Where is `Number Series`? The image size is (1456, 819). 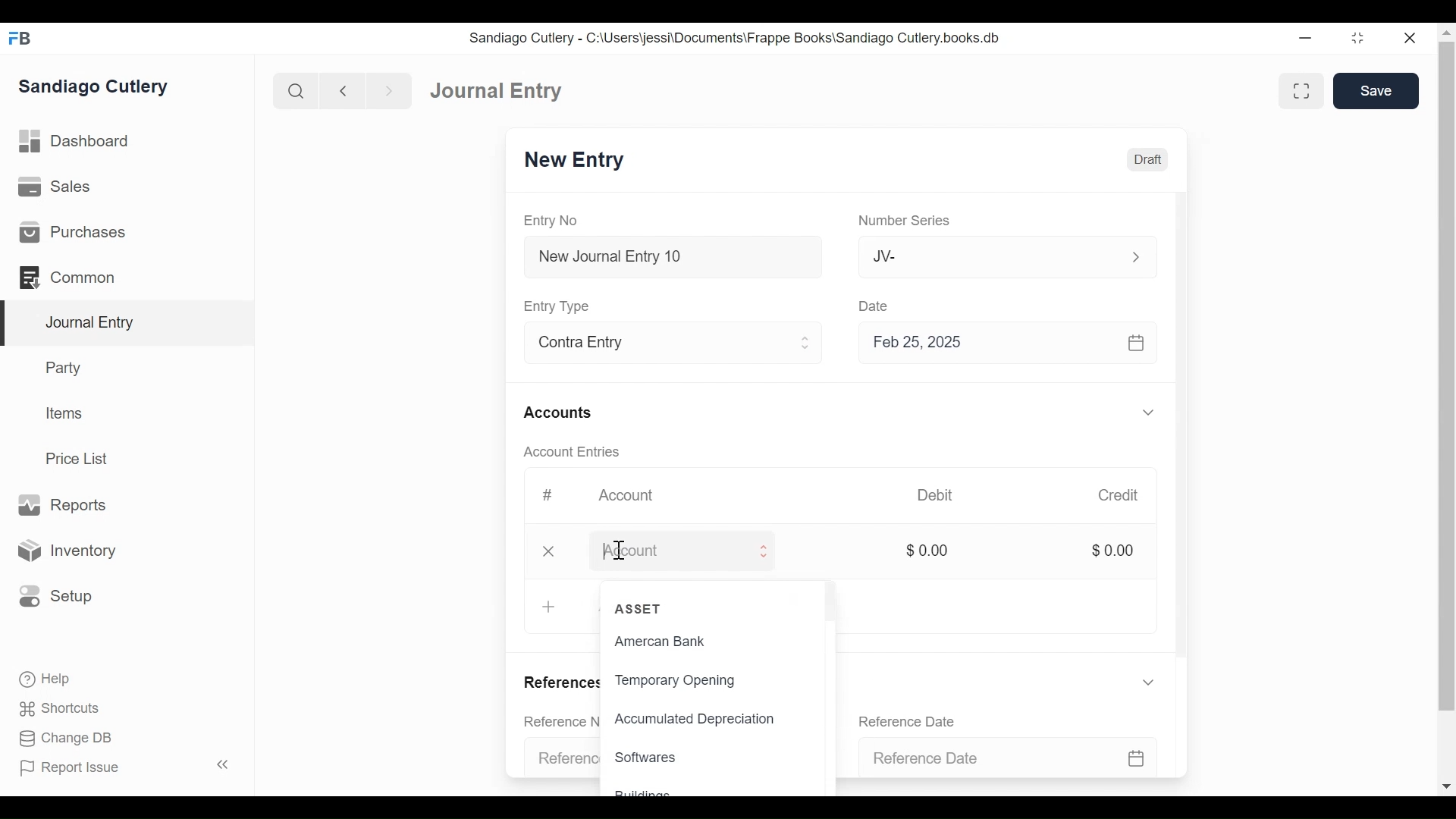 Number Series is located at coordinates (913, 221).